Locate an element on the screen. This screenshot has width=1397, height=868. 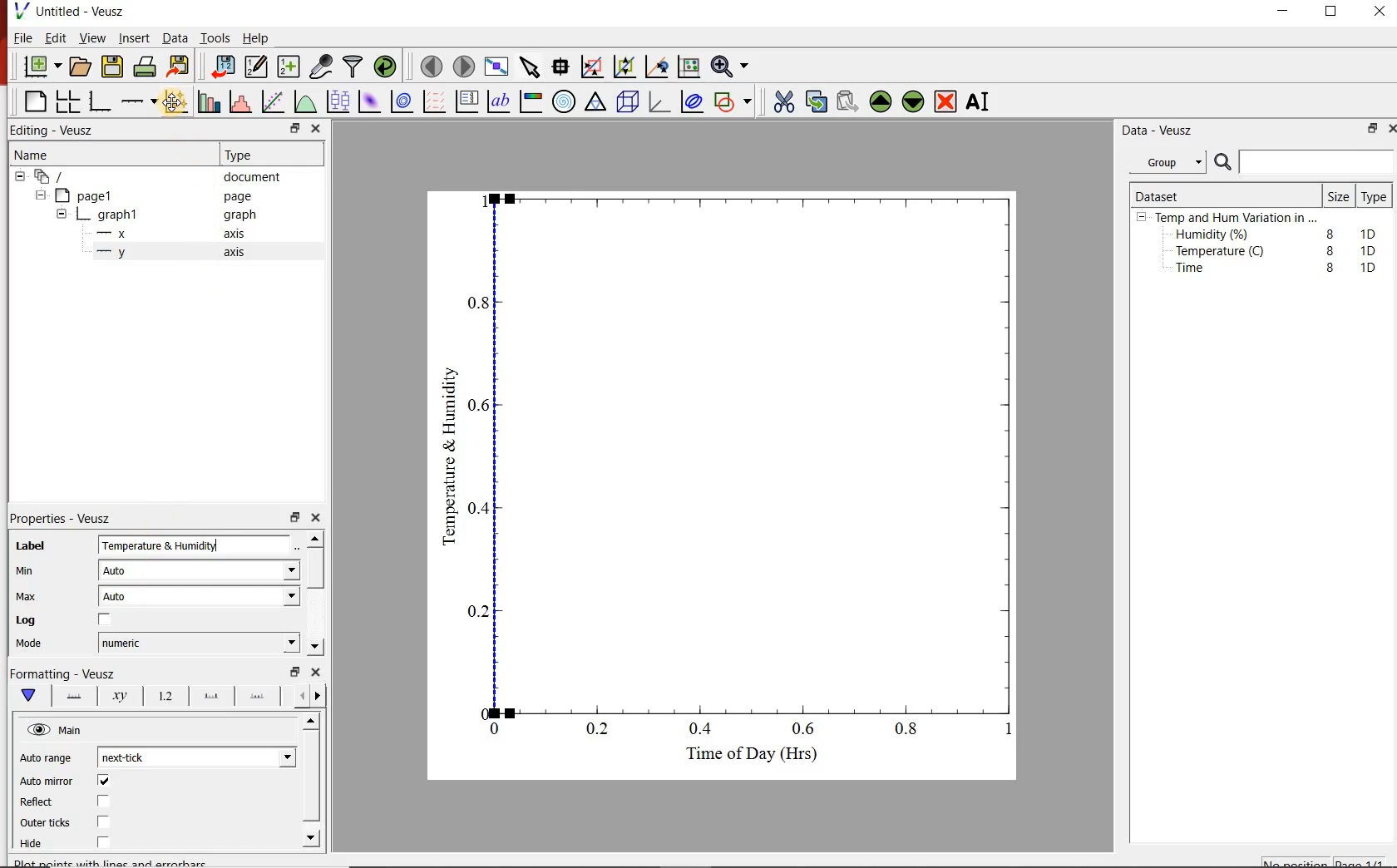
restore down is located at coordinates (284, 128).